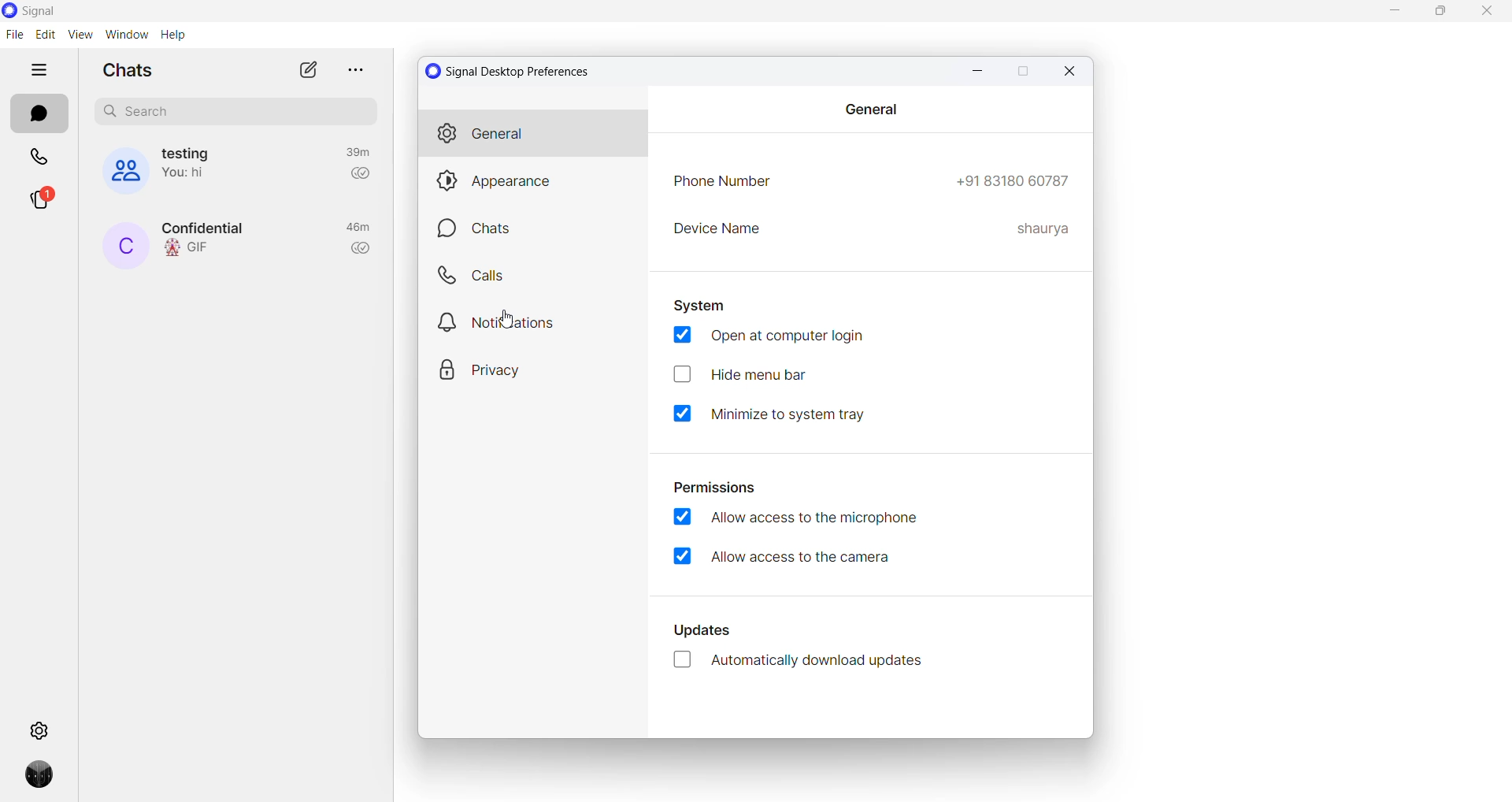 The height and width of the screenshot is (802, 1512). What do you see at coordinates (793, 518) in the screenshot?
I see `microphone access checkbox` at bounding box center [793, 518].